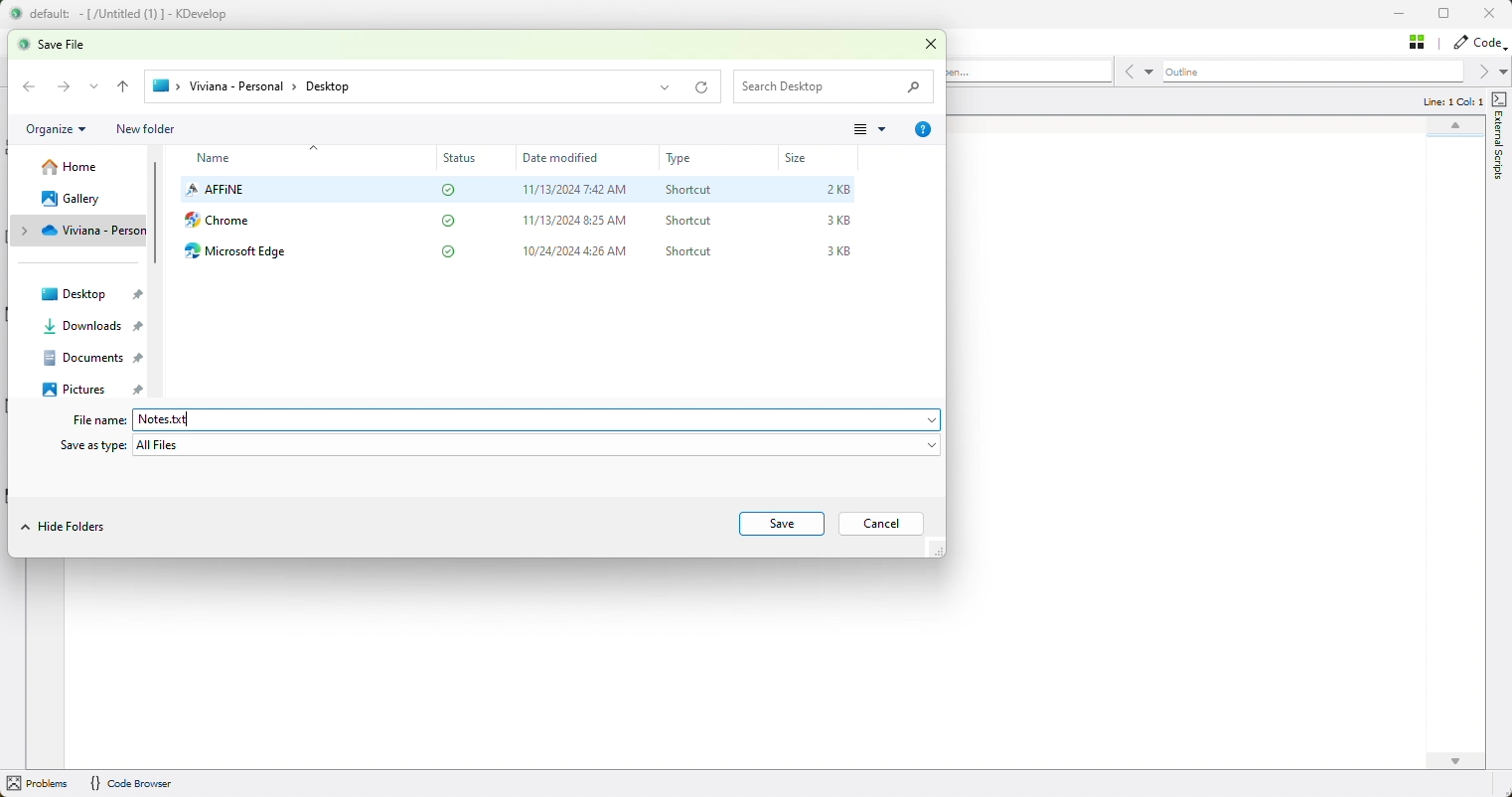  What do you see at coordinates (688, 187) in the screenshot?
I see `Shortcut` at bounding box center [688, 187].